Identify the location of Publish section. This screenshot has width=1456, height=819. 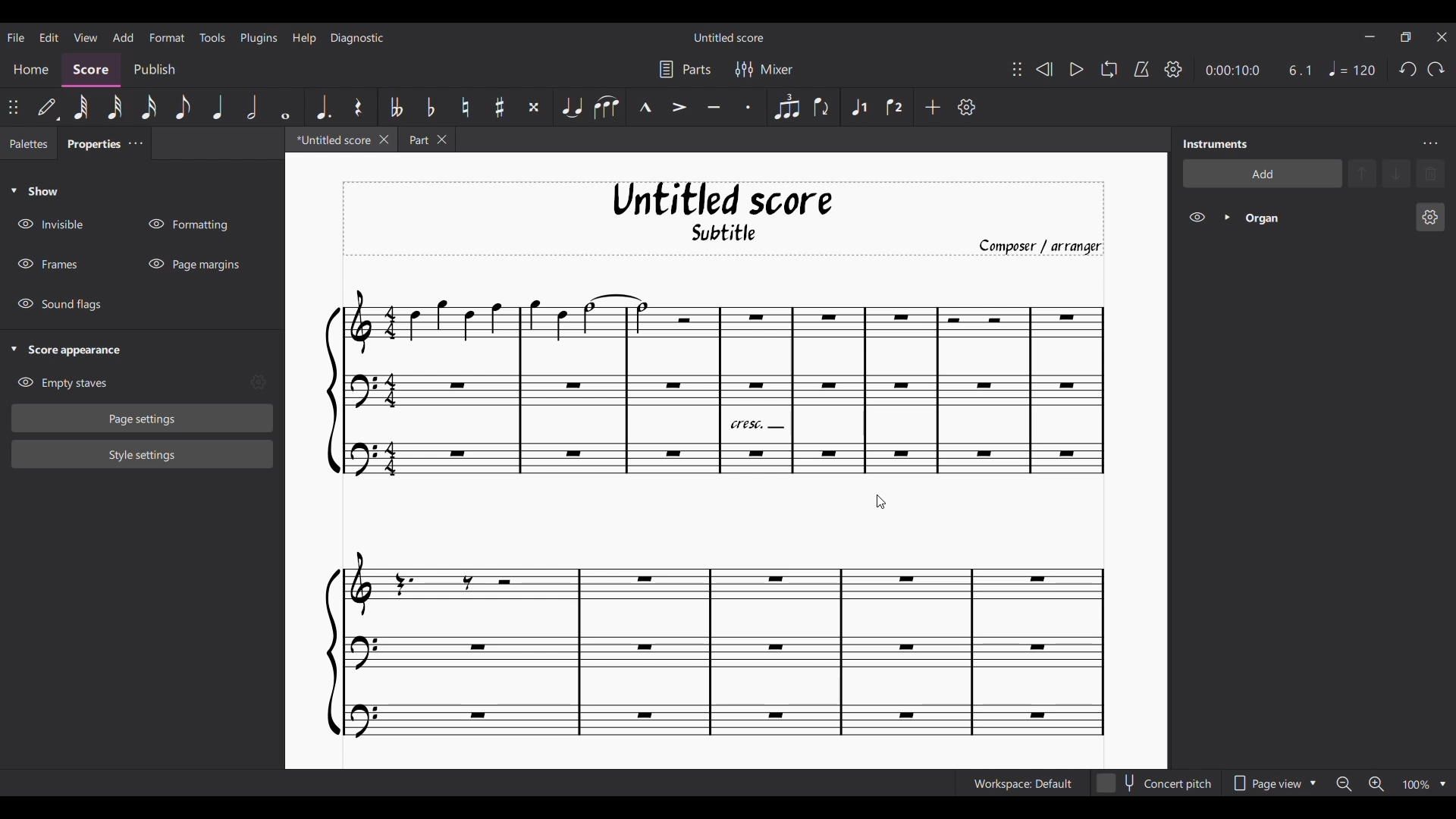
(153, 71).